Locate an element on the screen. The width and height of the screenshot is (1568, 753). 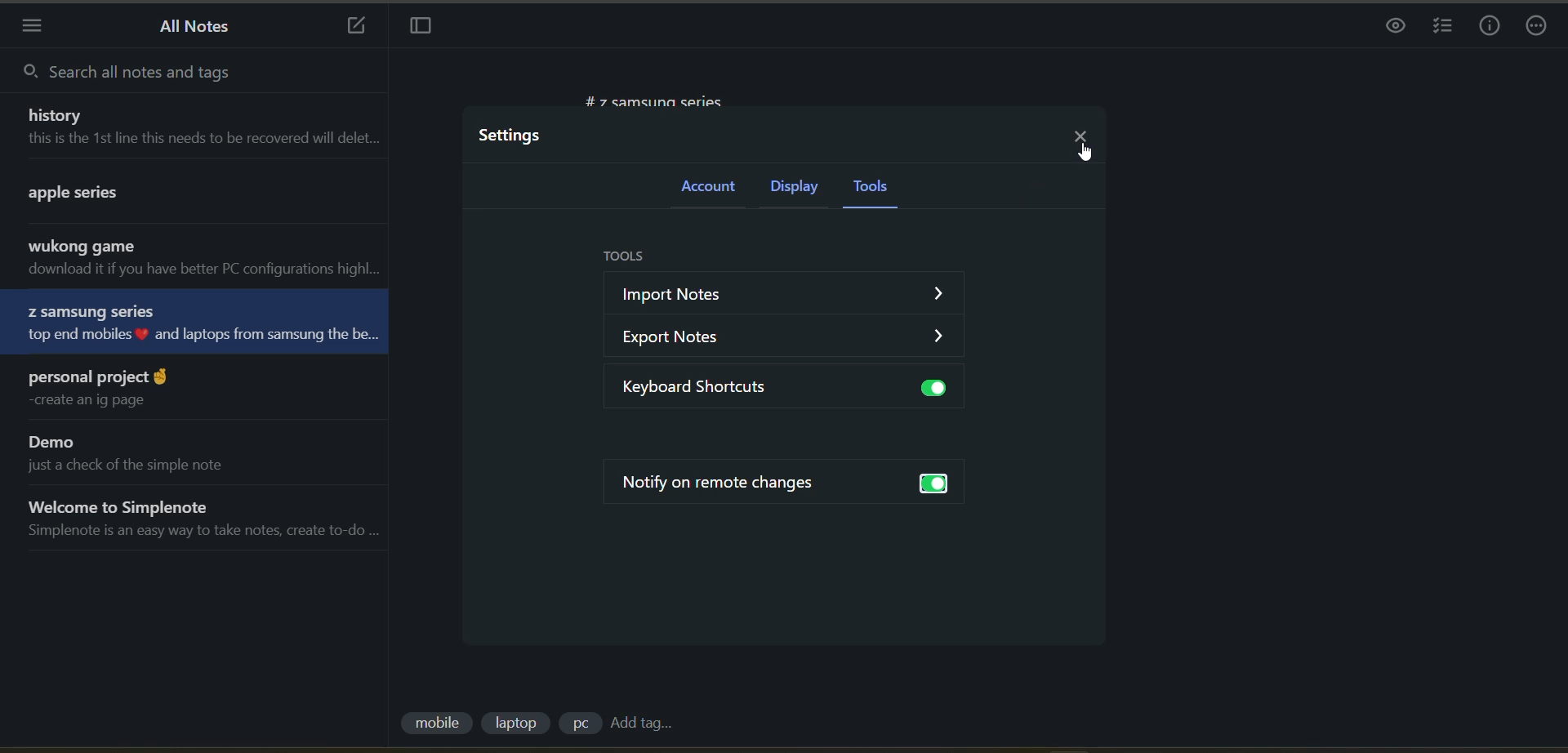
cursor is located at coordinates (1085, 153).